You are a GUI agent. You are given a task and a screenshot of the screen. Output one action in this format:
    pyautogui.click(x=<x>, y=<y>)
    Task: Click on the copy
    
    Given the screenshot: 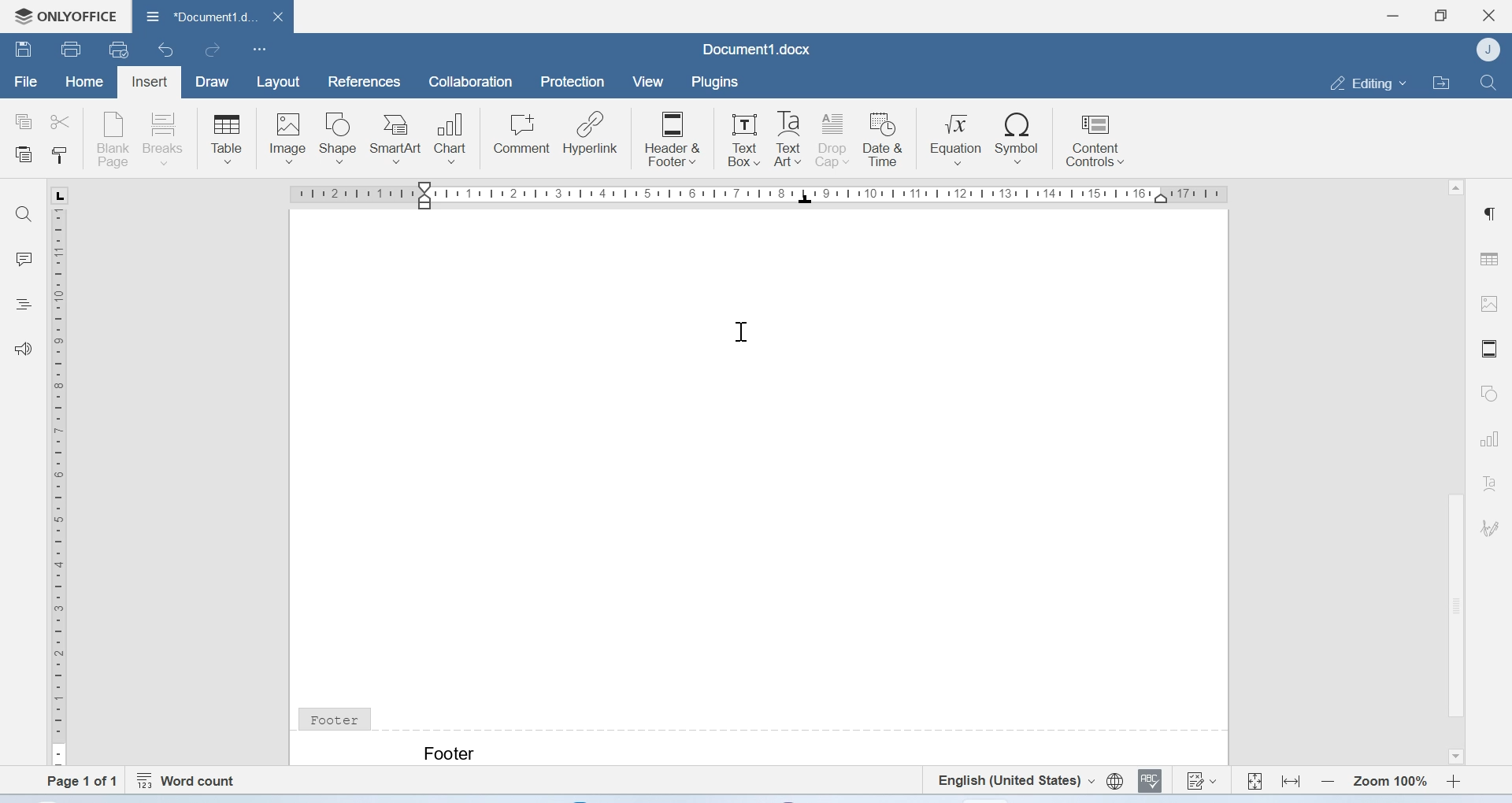 What is the action you would take?
    pyautogui.click(x=24, y=122)
    